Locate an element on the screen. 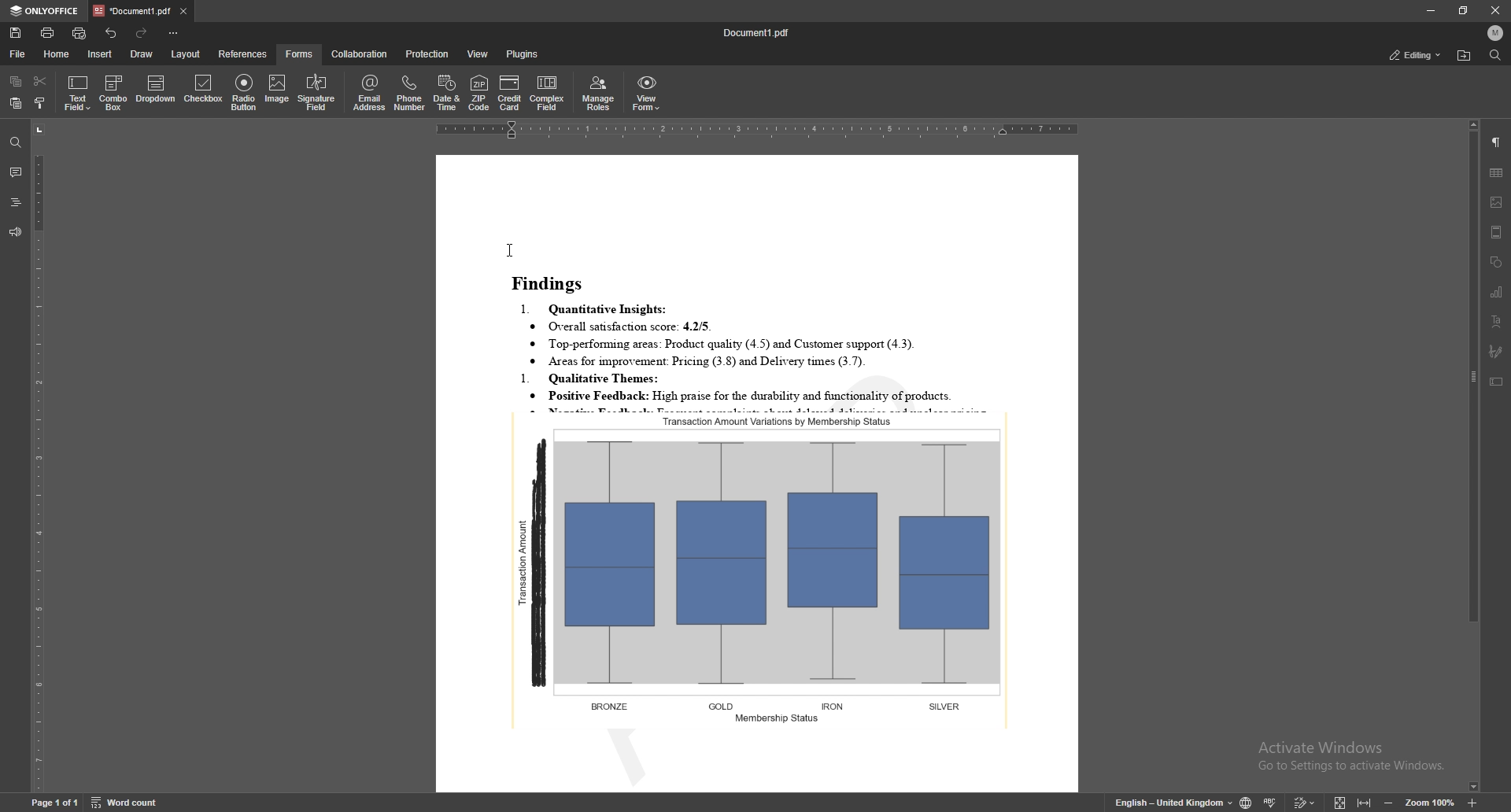 Image resolution: width=1511 pixels, height=812 pixels. heading is located at coordinates (16, 203).